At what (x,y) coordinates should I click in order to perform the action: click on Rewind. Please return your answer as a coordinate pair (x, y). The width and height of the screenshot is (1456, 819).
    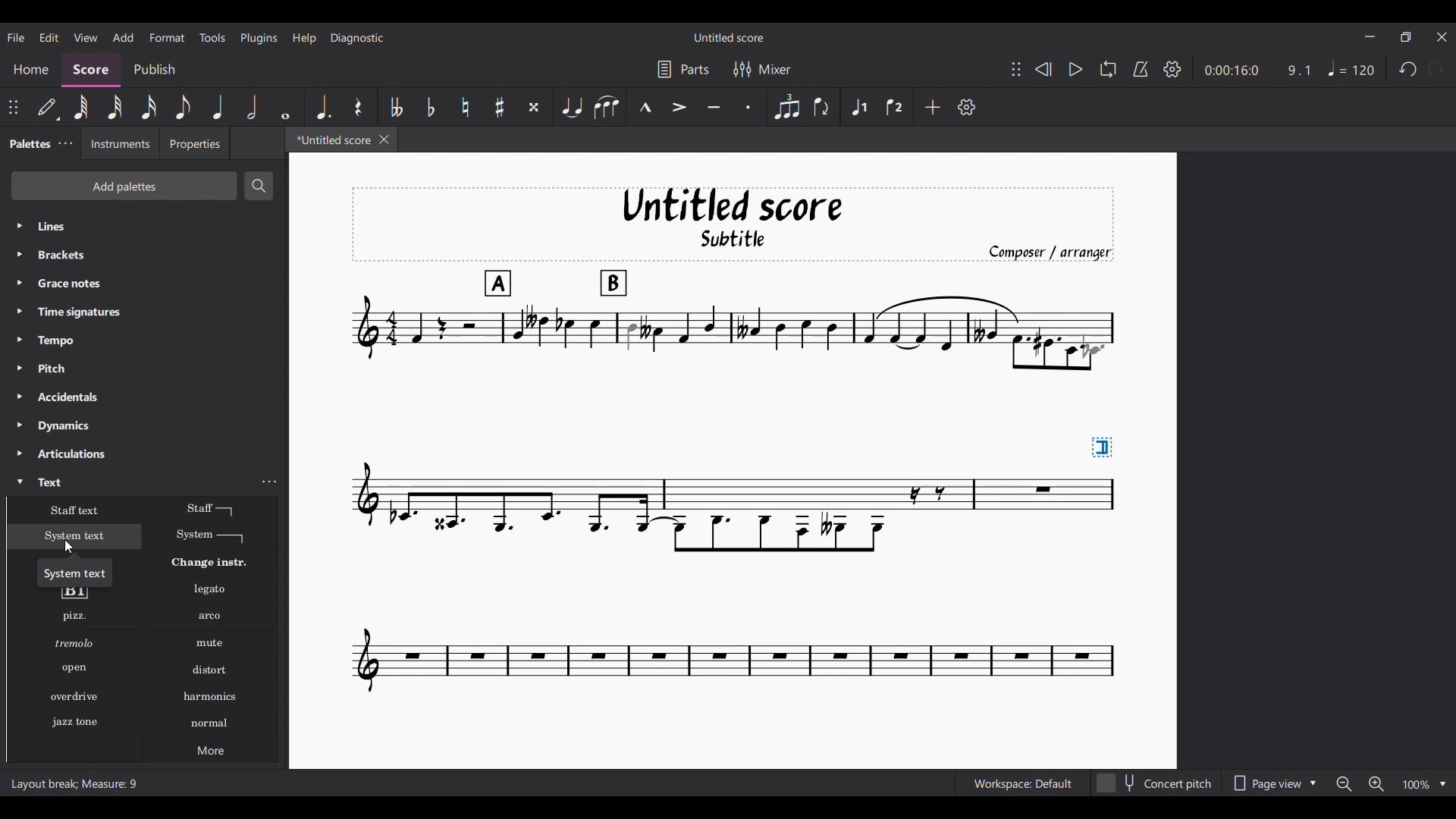
    Looking at the image, I should click on (1043, 69).